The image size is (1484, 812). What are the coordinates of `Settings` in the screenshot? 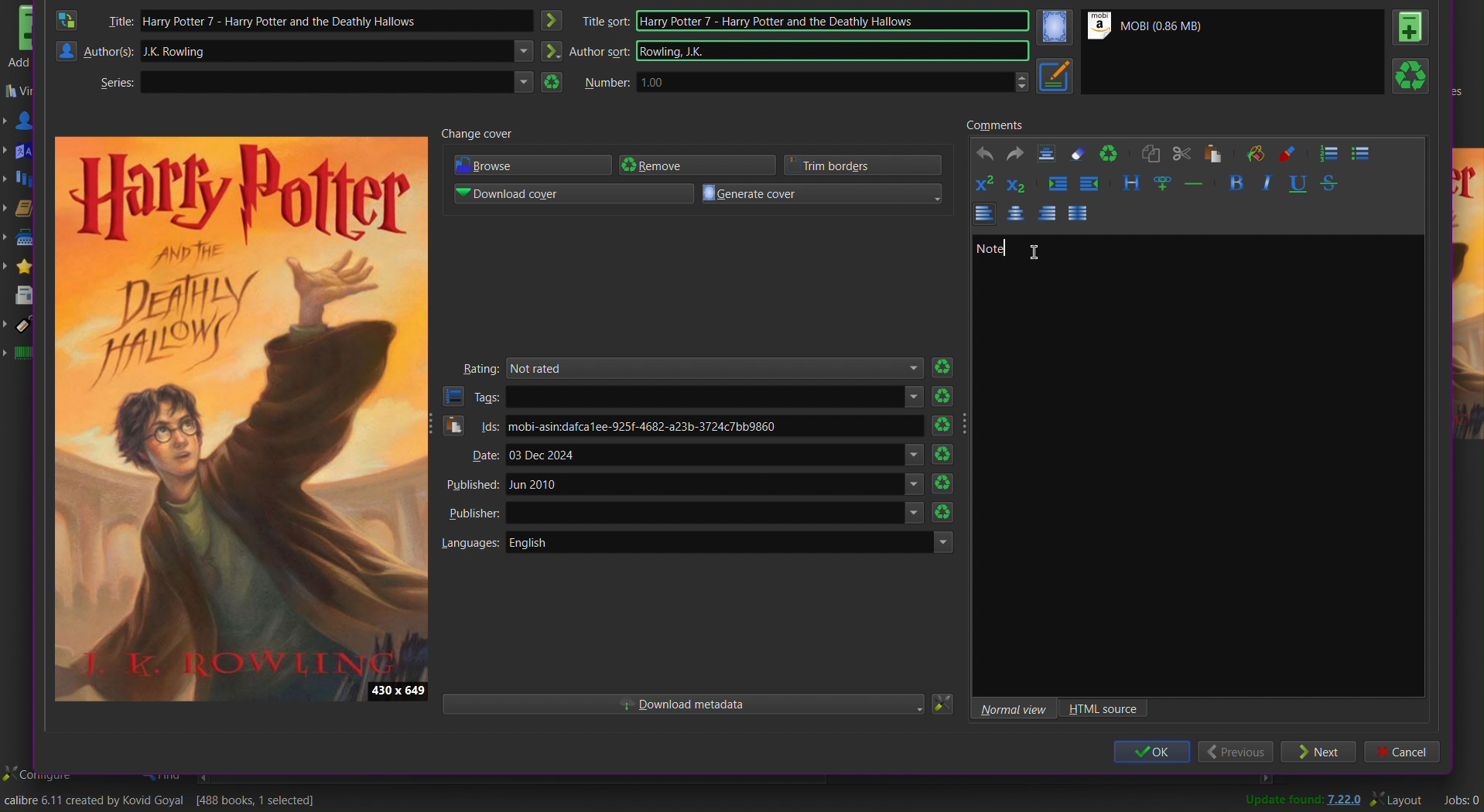 It's located at (943, 705).